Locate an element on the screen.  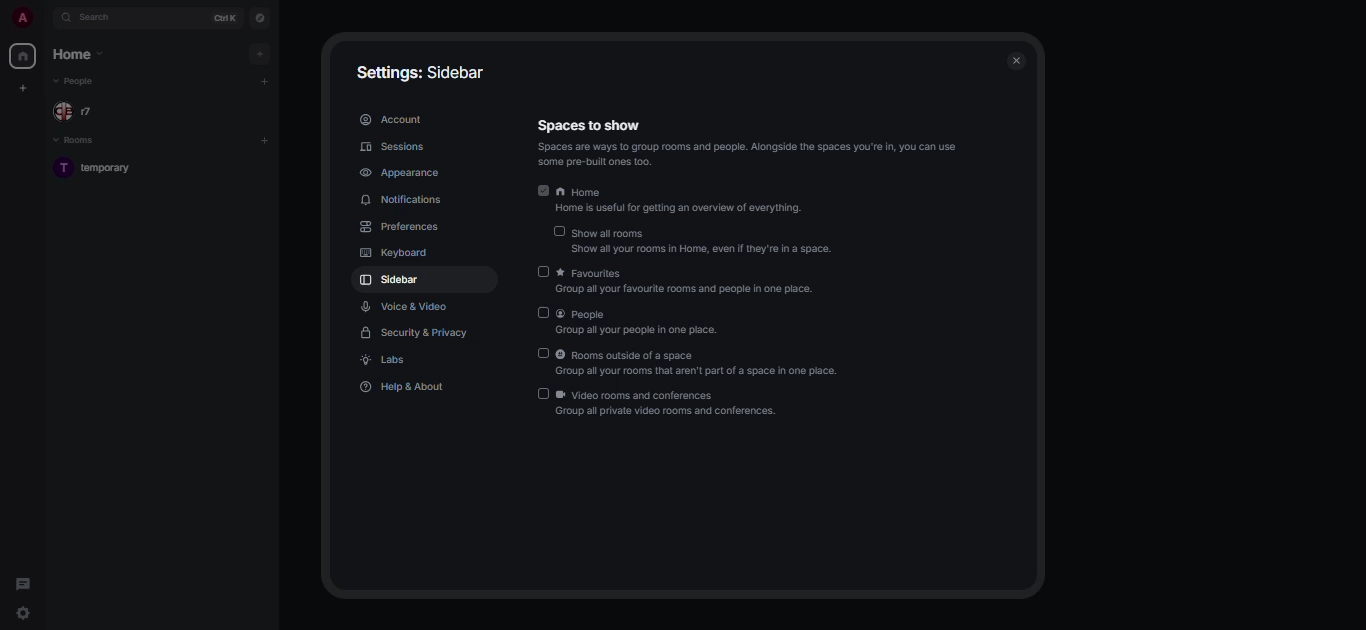
disabled is located at coordinates (541, 393).